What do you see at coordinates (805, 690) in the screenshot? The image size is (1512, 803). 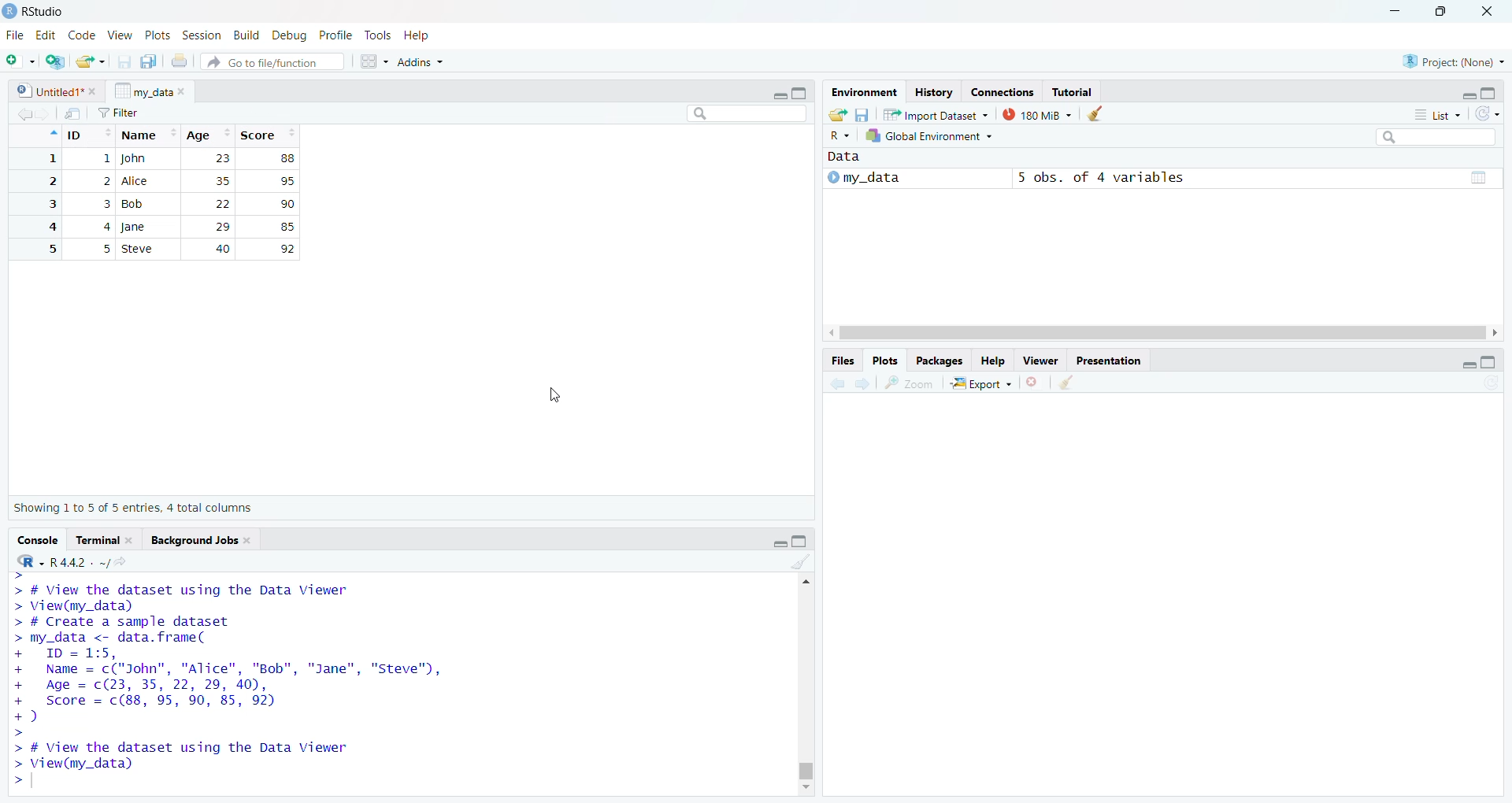 I see `Scrollbar` at bounding box center [805, 690].